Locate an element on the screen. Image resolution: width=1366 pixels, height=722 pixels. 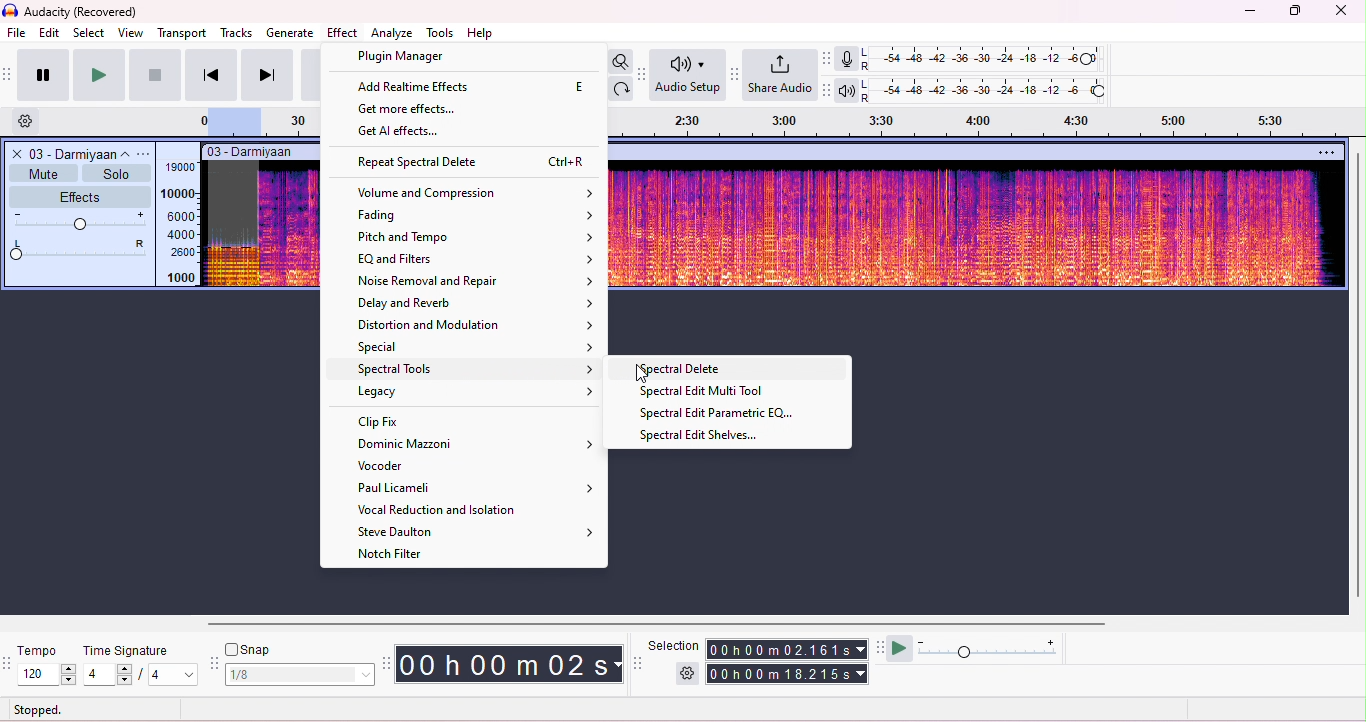
record meter  is located at coordinates (846, 59).